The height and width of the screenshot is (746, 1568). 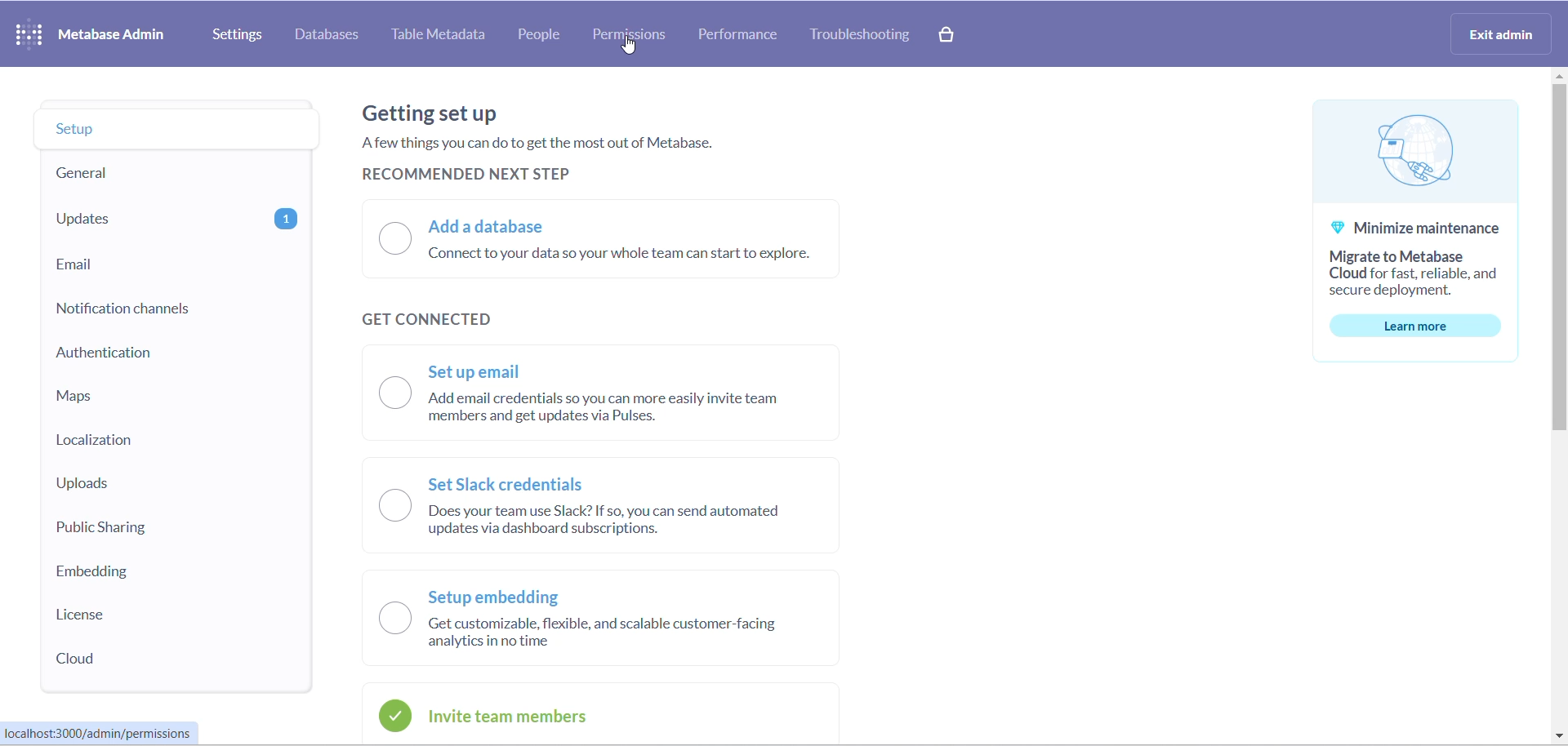 What do you see at coordinates (95, 33) in the screenshot?
I see `logo and name` at bounding box center [95, 33].